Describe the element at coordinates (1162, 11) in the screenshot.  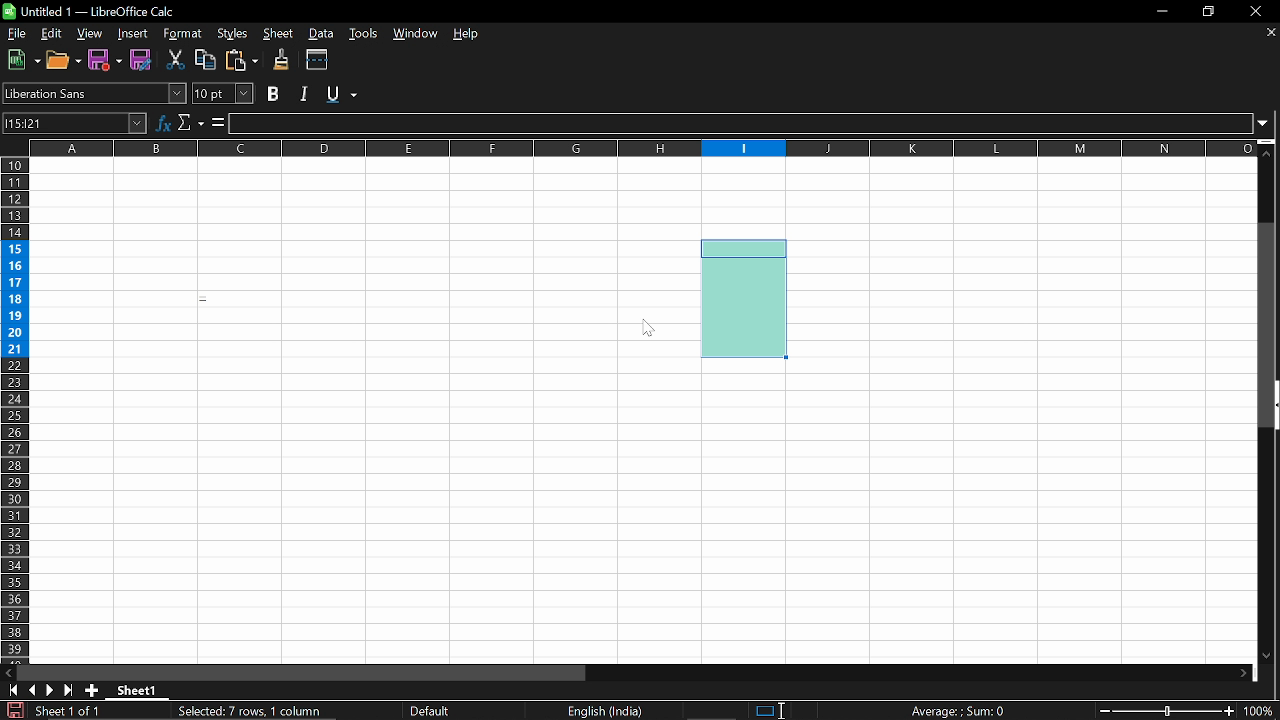
I see `Minimize` at that location.